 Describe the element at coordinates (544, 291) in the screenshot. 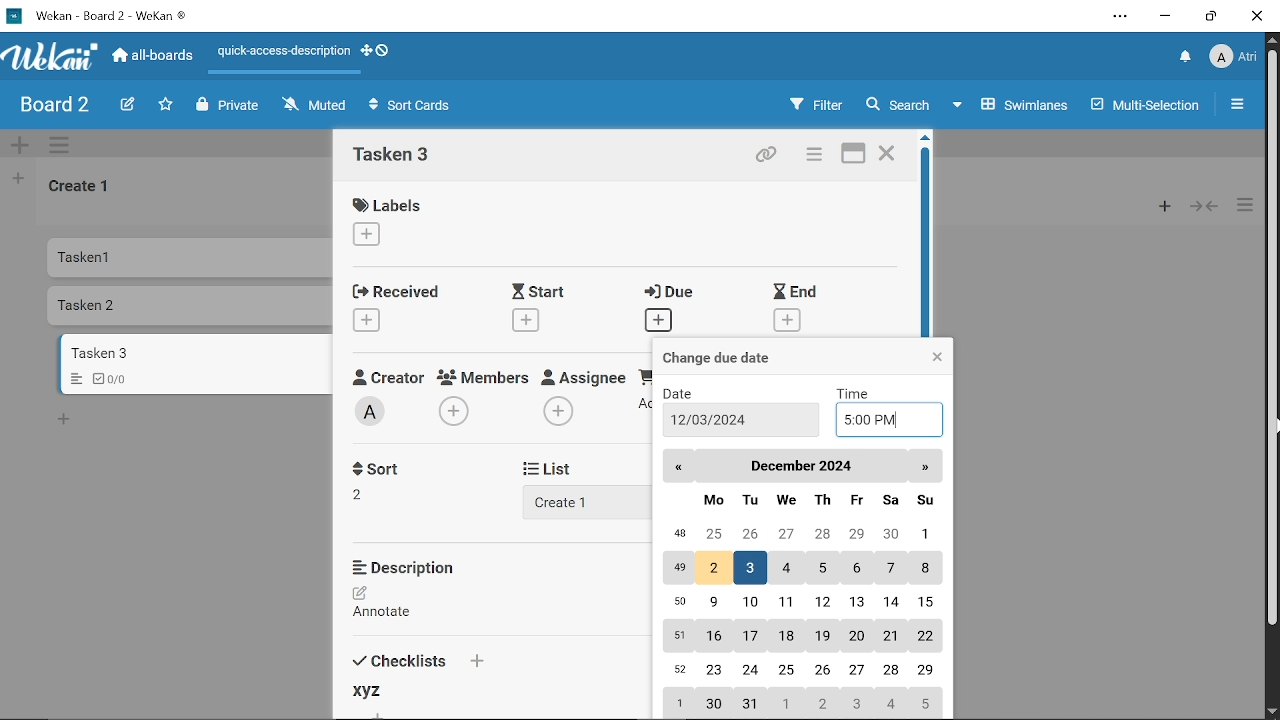

I see `Start` at that location.